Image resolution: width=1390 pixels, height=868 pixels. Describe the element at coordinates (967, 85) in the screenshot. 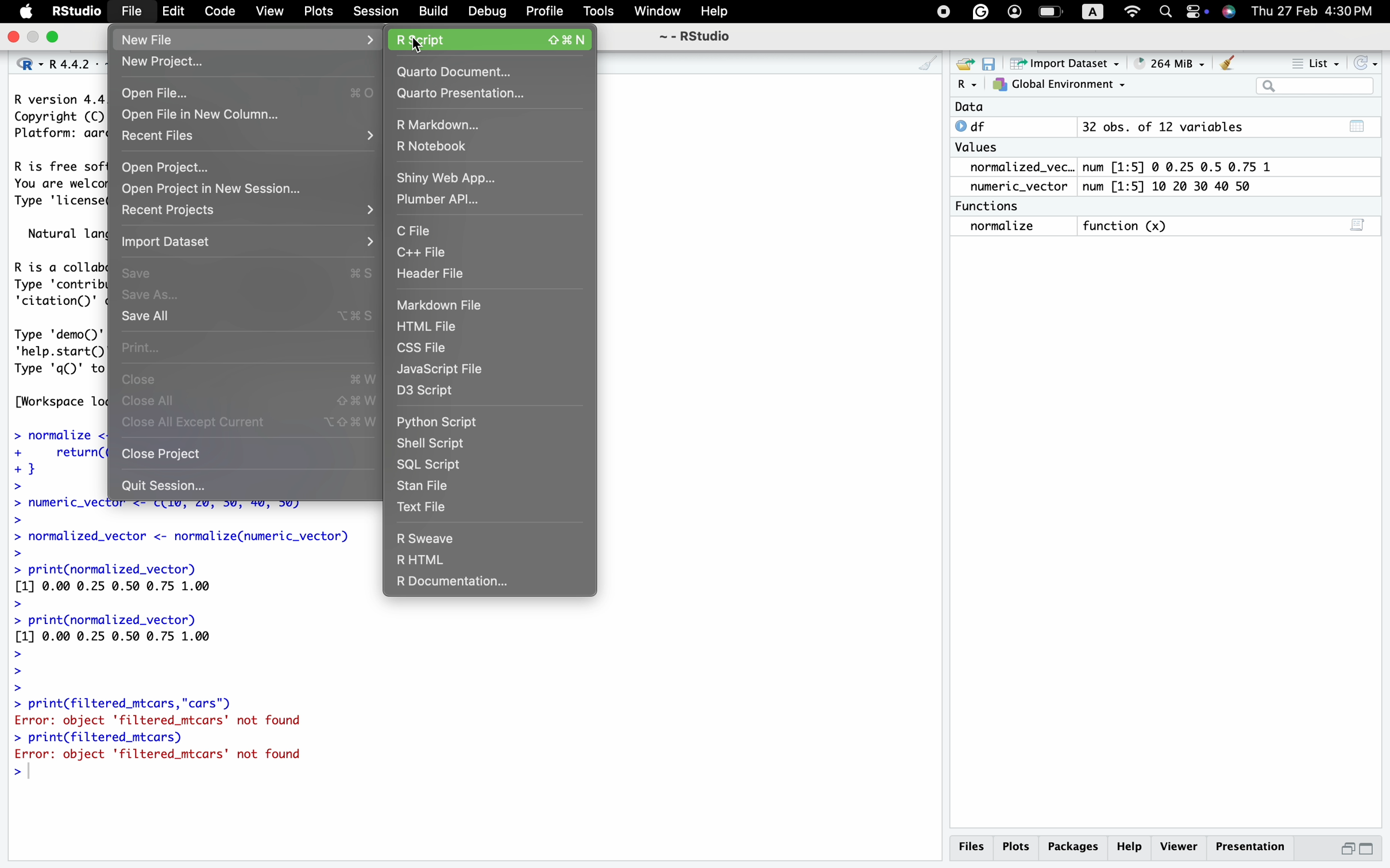

I see `select language` at that location.